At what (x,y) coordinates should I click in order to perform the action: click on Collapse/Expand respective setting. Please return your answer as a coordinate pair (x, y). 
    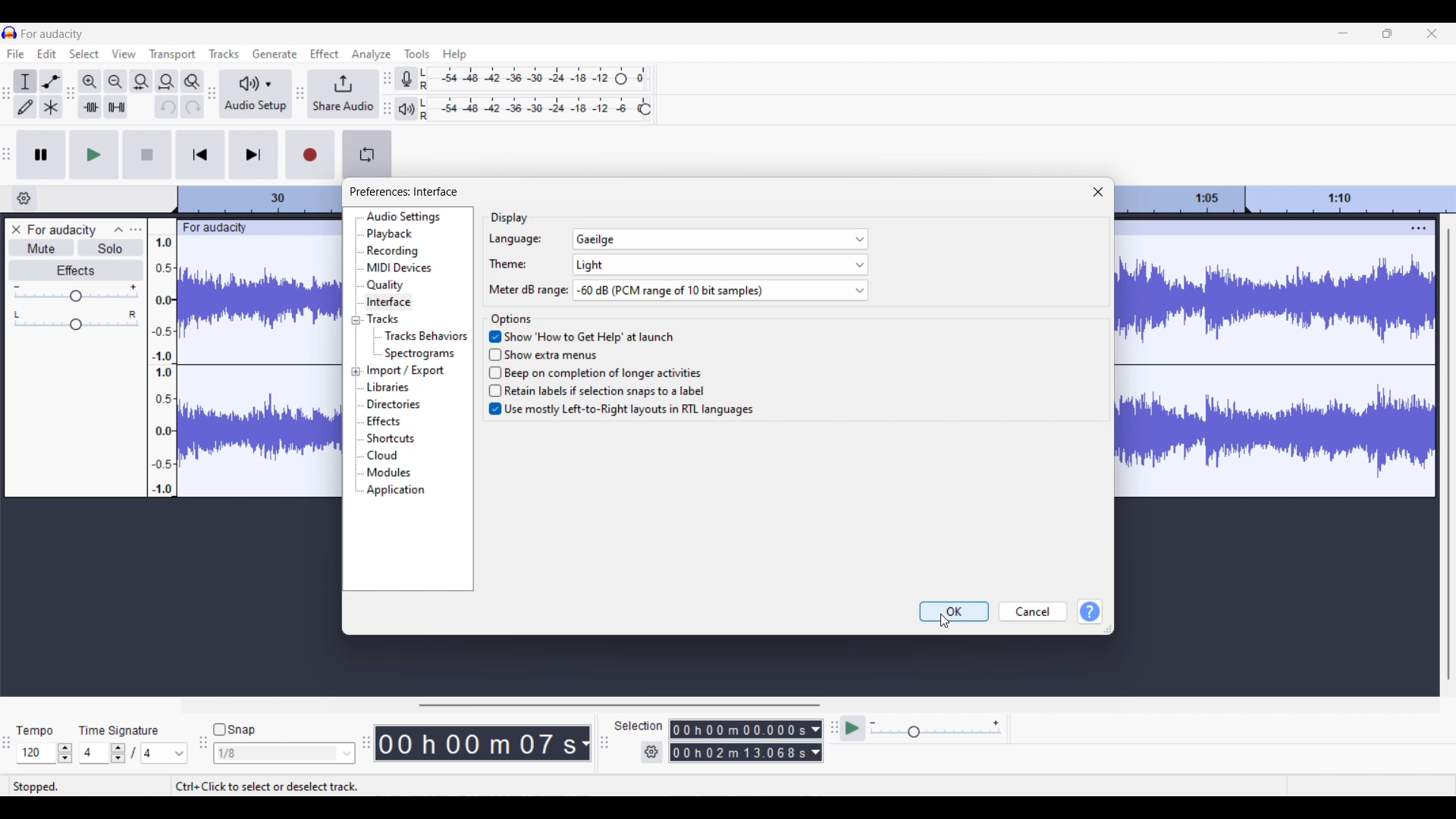
    Looking at the image, I should click on (356, 347).